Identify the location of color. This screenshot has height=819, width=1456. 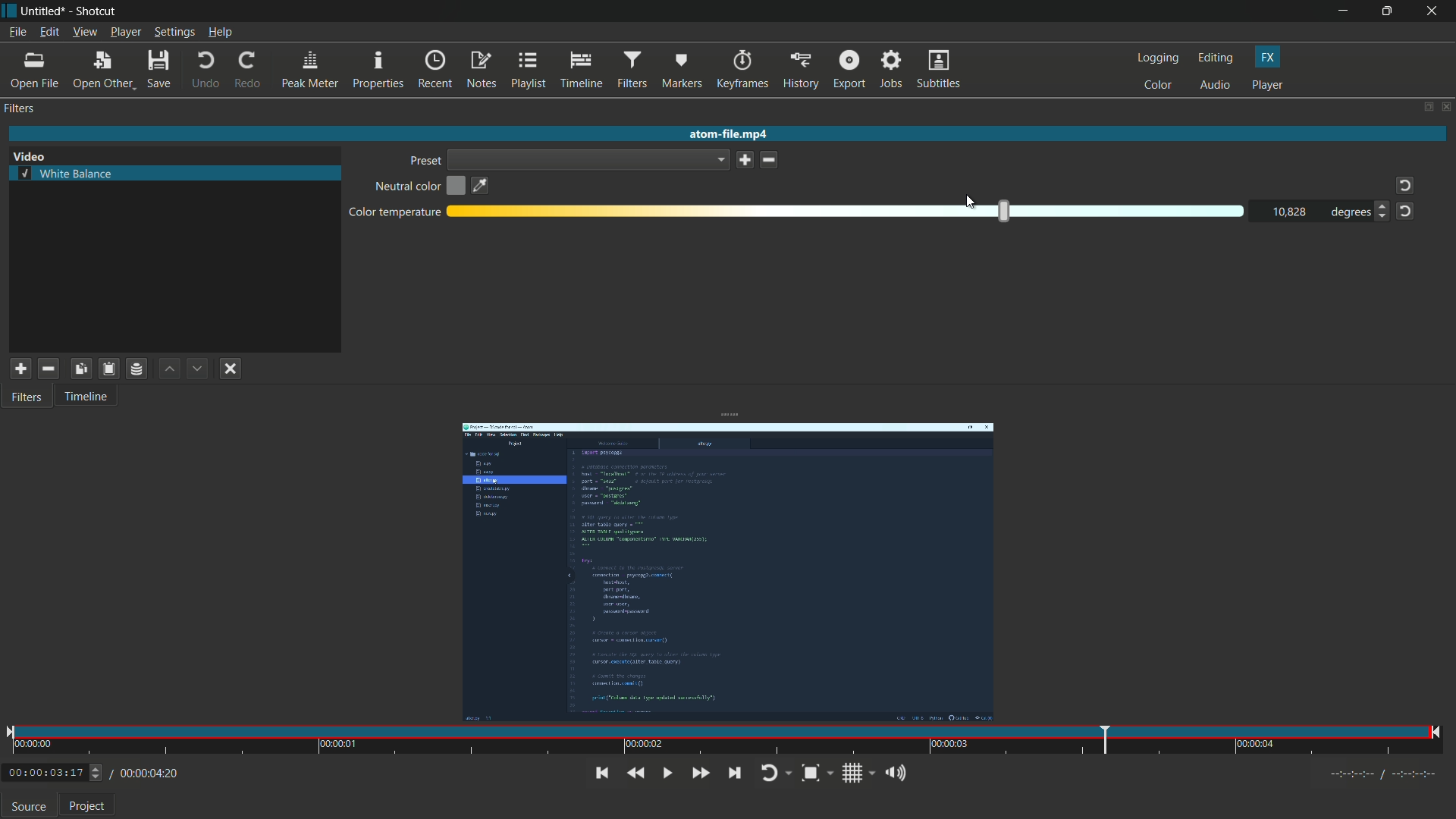
(1158, 86).